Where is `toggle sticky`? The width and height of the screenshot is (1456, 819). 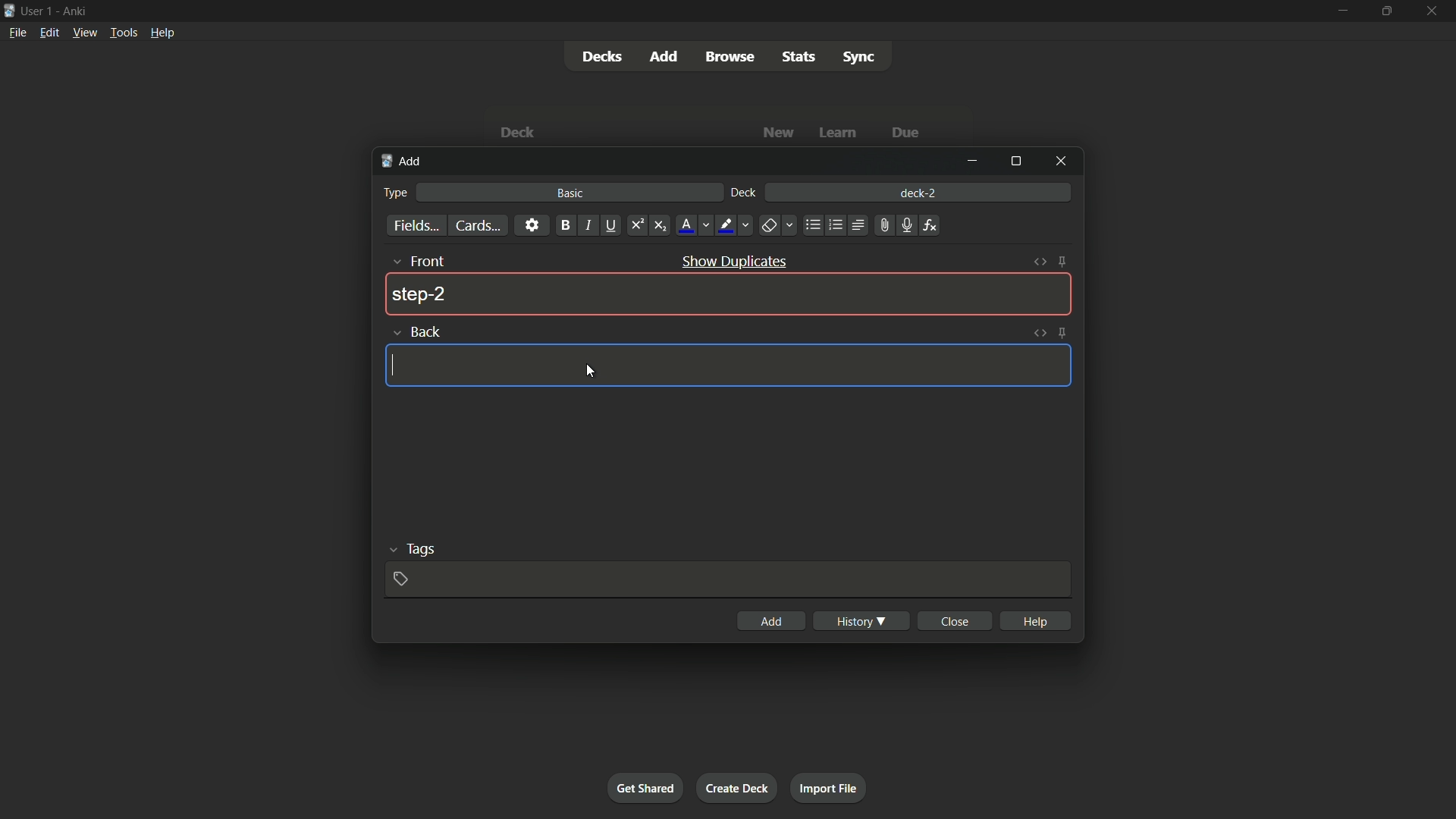 toggle sticky is located at coordinates (1062, 332).